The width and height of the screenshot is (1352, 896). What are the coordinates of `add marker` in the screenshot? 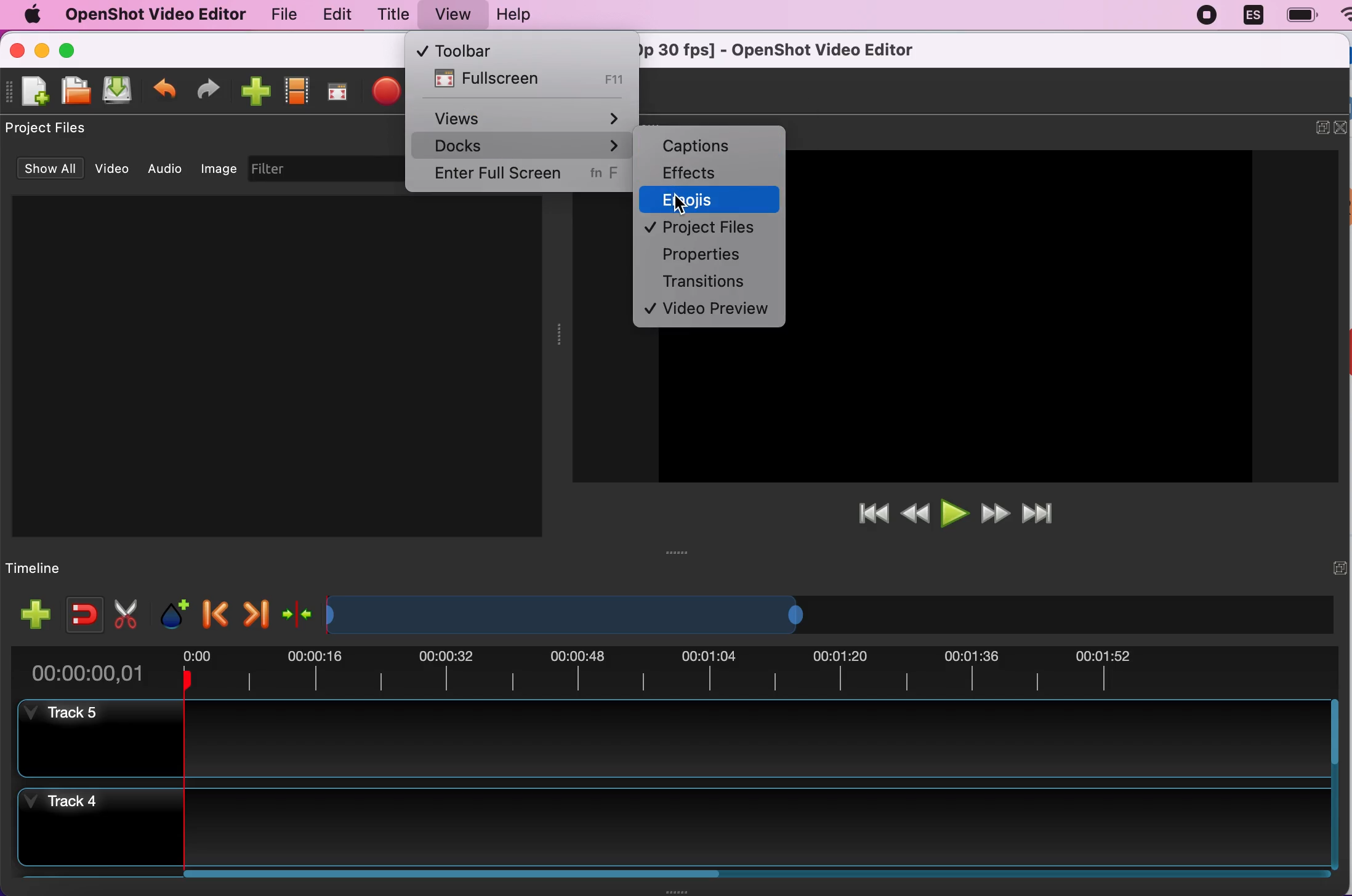 It's located at (172, 610).